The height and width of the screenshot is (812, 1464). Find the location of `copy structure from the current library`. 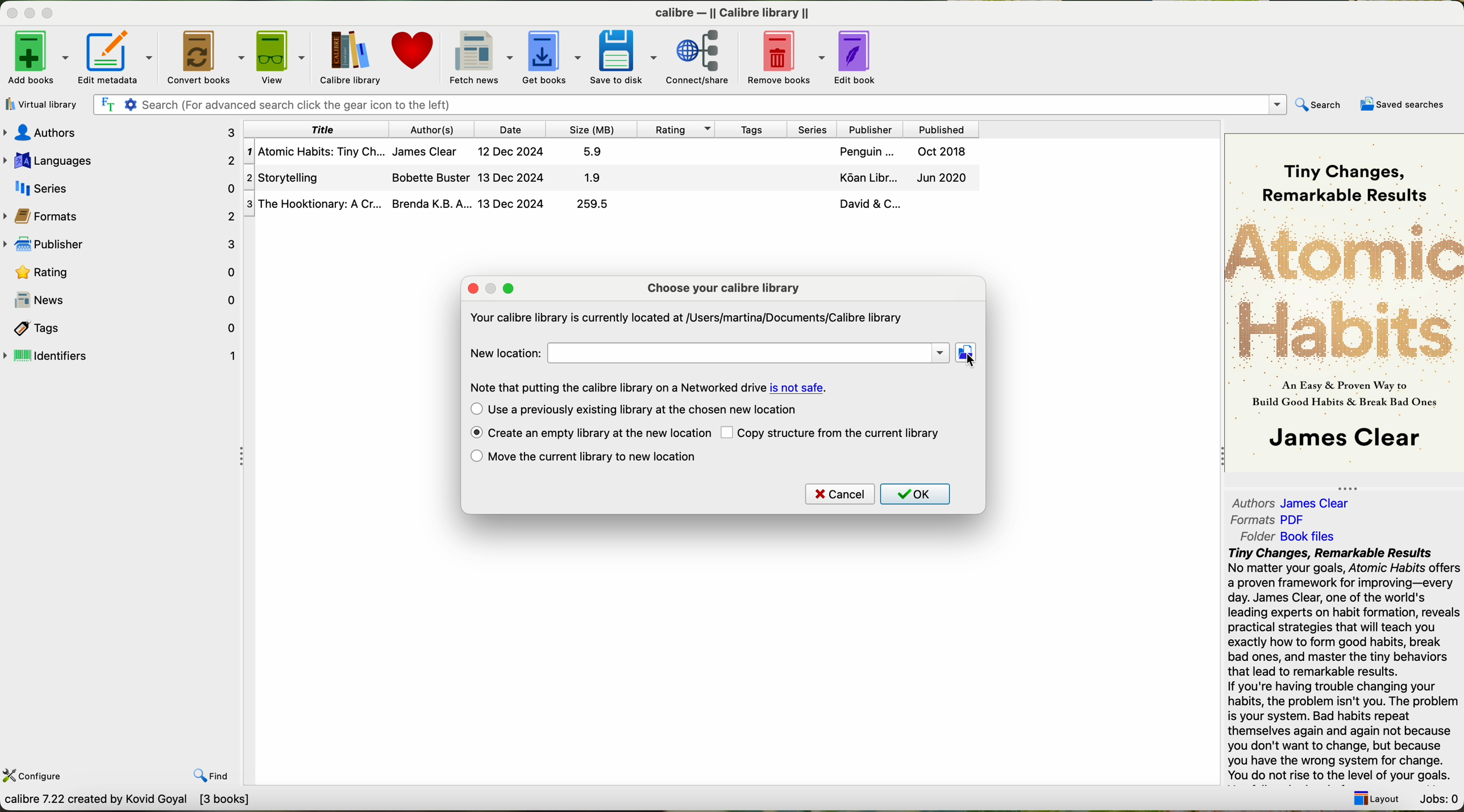

copy structure from the current library is located at coordinates (833, 432).